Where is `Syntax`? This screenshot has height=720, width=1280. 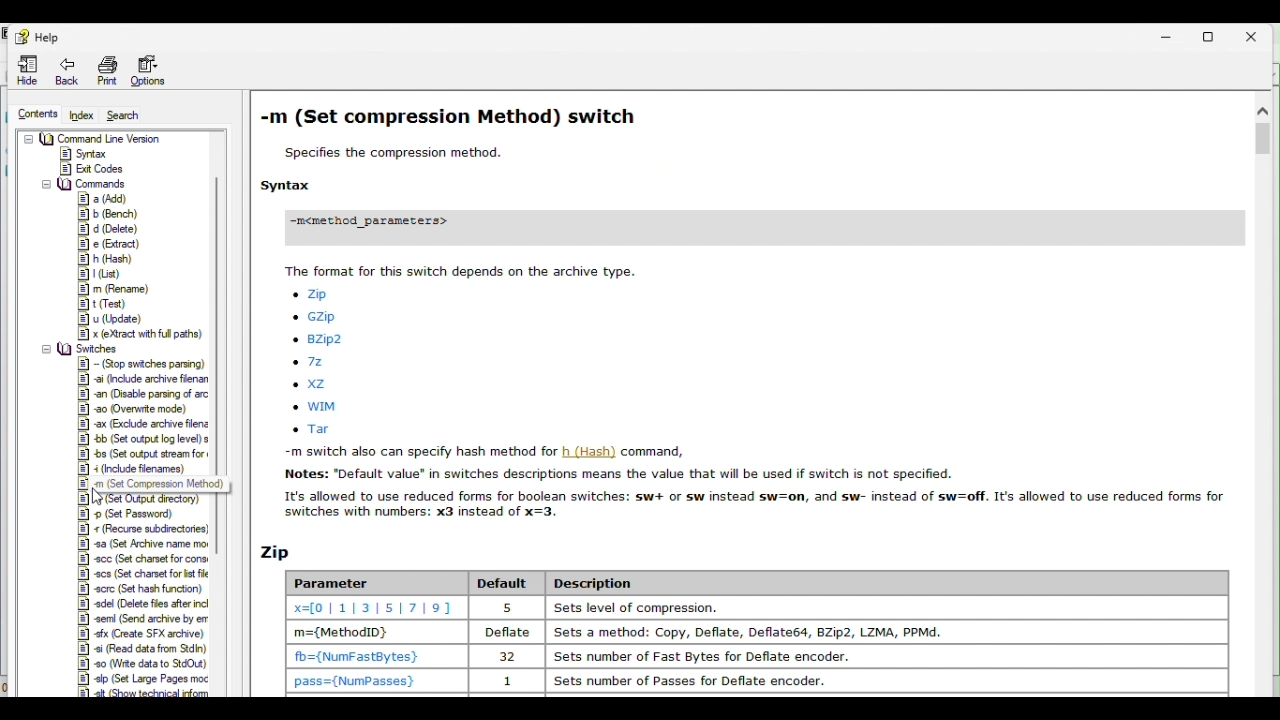
Syntax is located at coordinates (89, 154).